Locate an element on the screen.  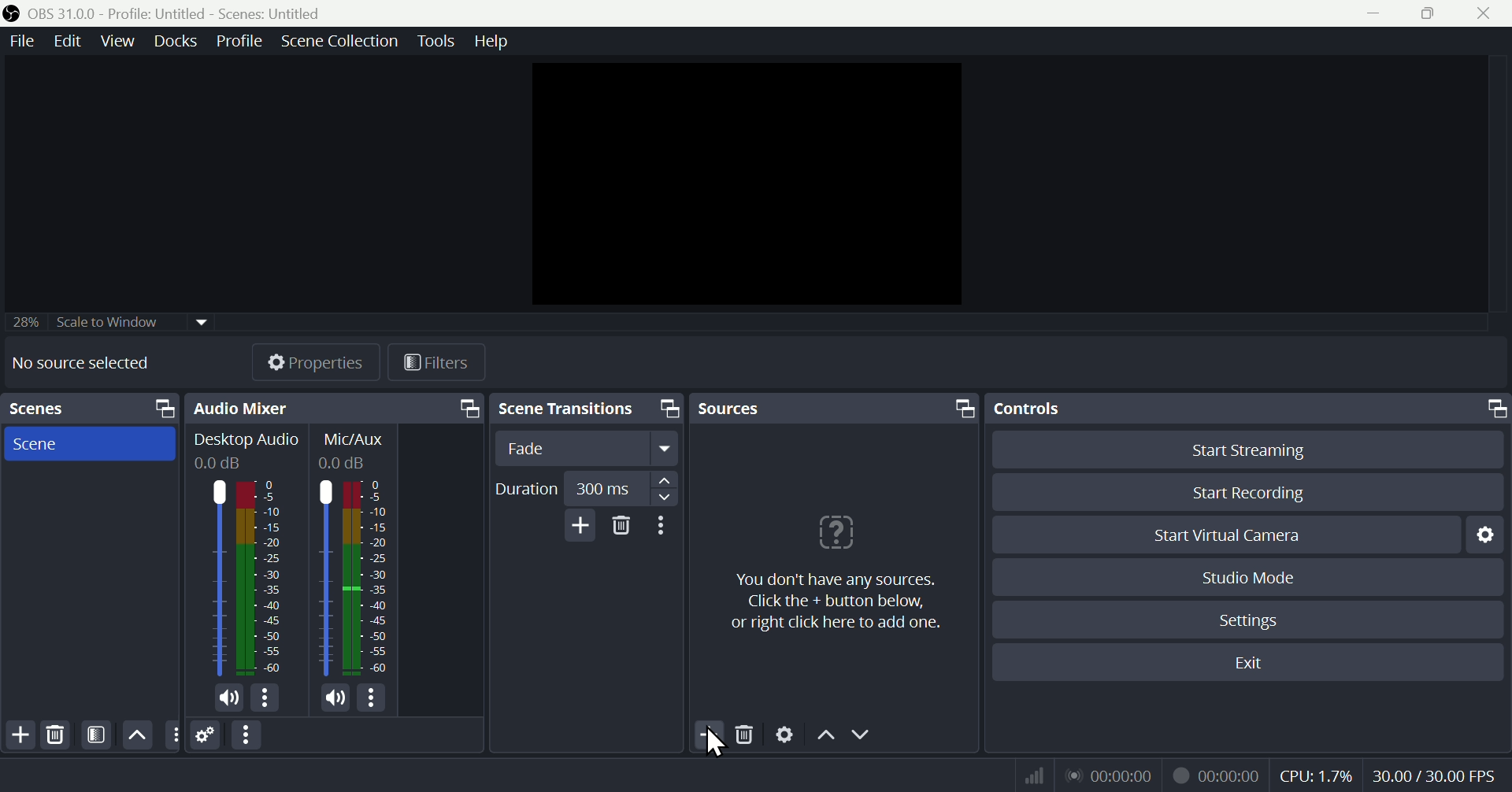
Mic/Aux is located at coordinates (324, 578).